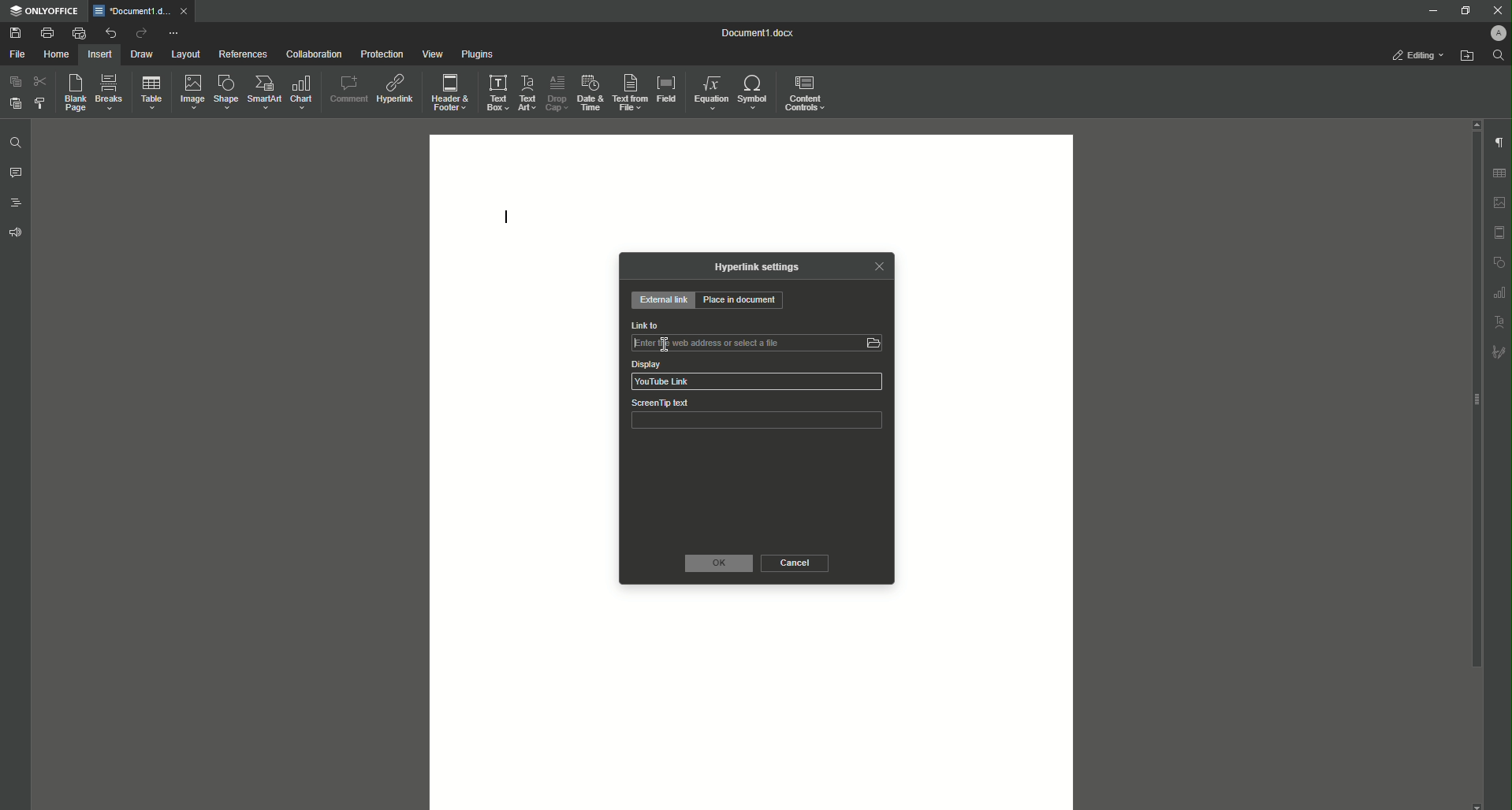  Describe the element at coordinates (15, 81) in the screenshot. I see `Copy` at that location.